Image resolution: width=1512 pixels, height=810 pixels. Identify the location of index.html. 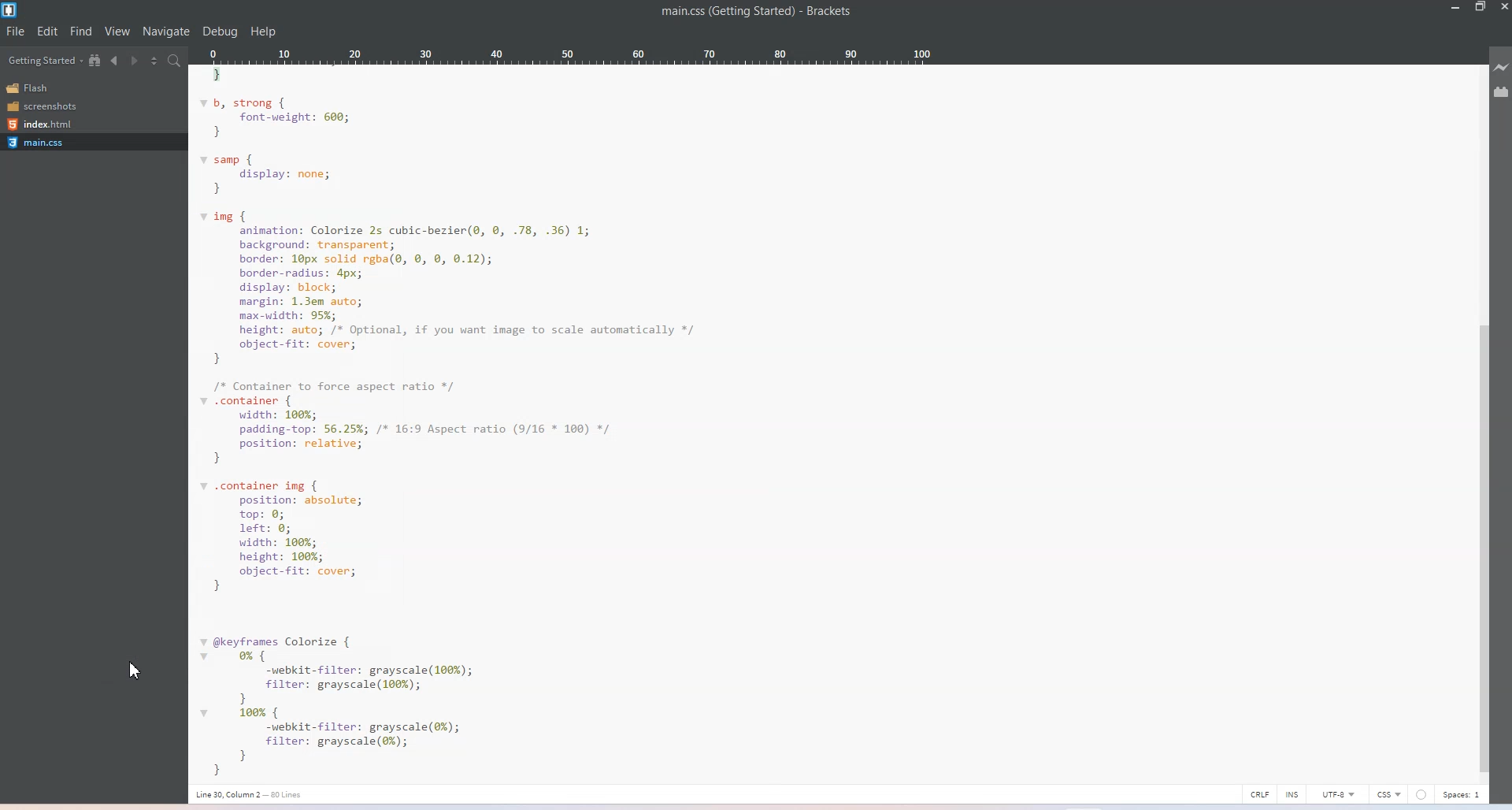
(47, 123).